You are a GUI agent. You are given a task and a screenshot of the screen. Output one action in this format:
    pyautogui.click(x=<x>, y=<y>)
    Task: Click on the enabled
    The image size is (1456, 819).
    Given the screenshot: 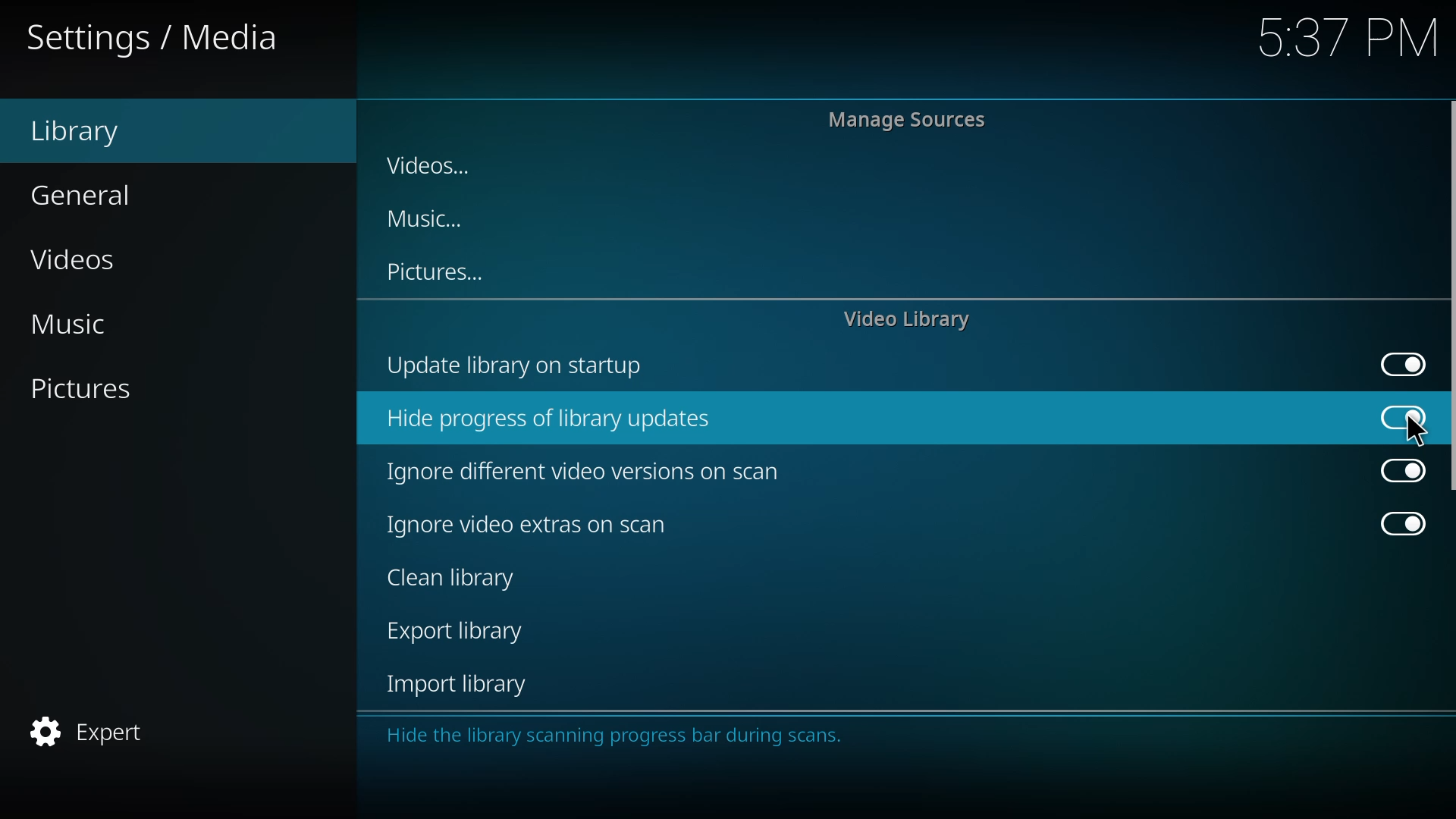 What is the action you would take?
    pyautogui.click(x=1406, y=416)
    